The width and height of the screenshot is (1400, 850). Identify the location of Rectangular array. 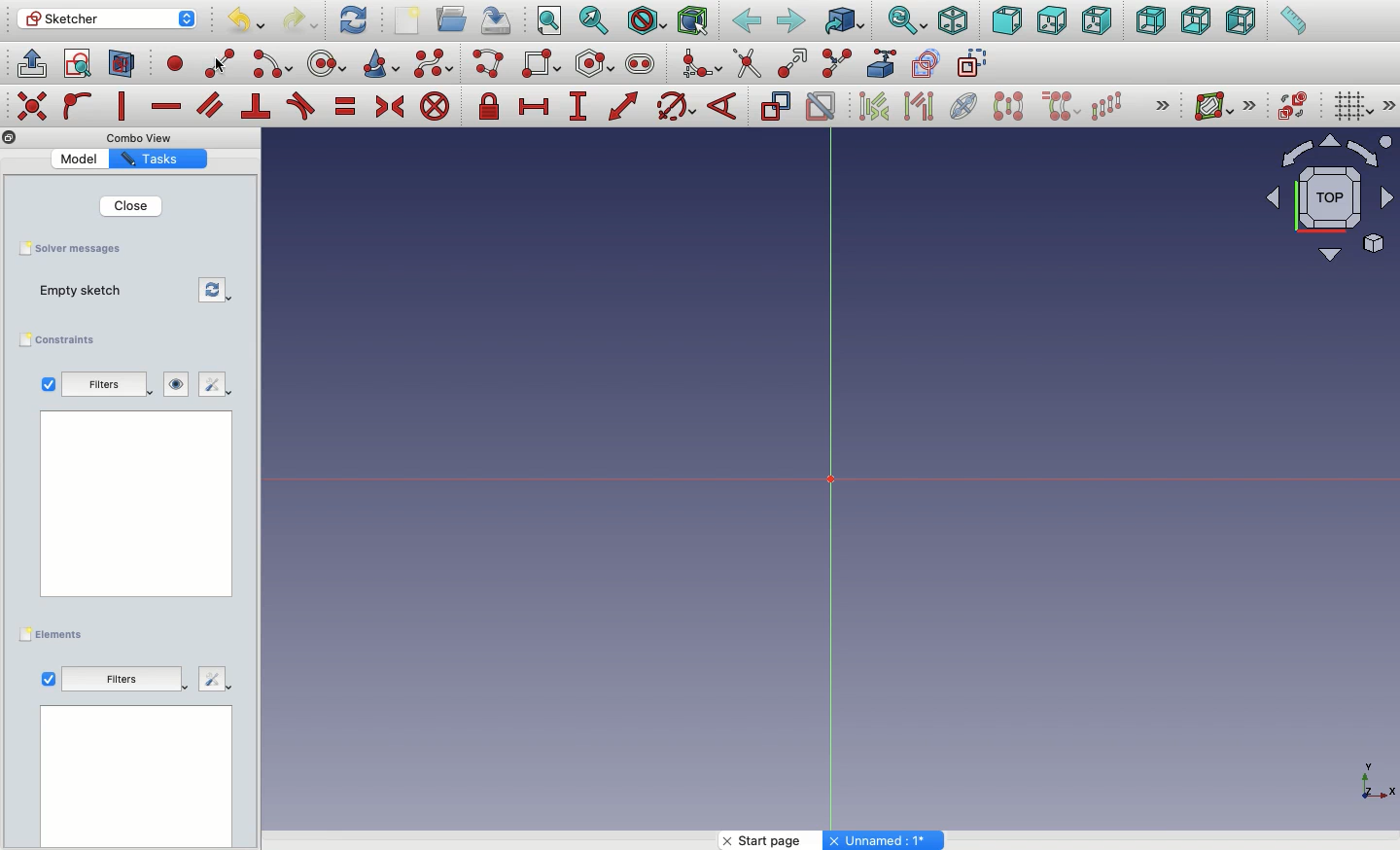
(1108, 105).